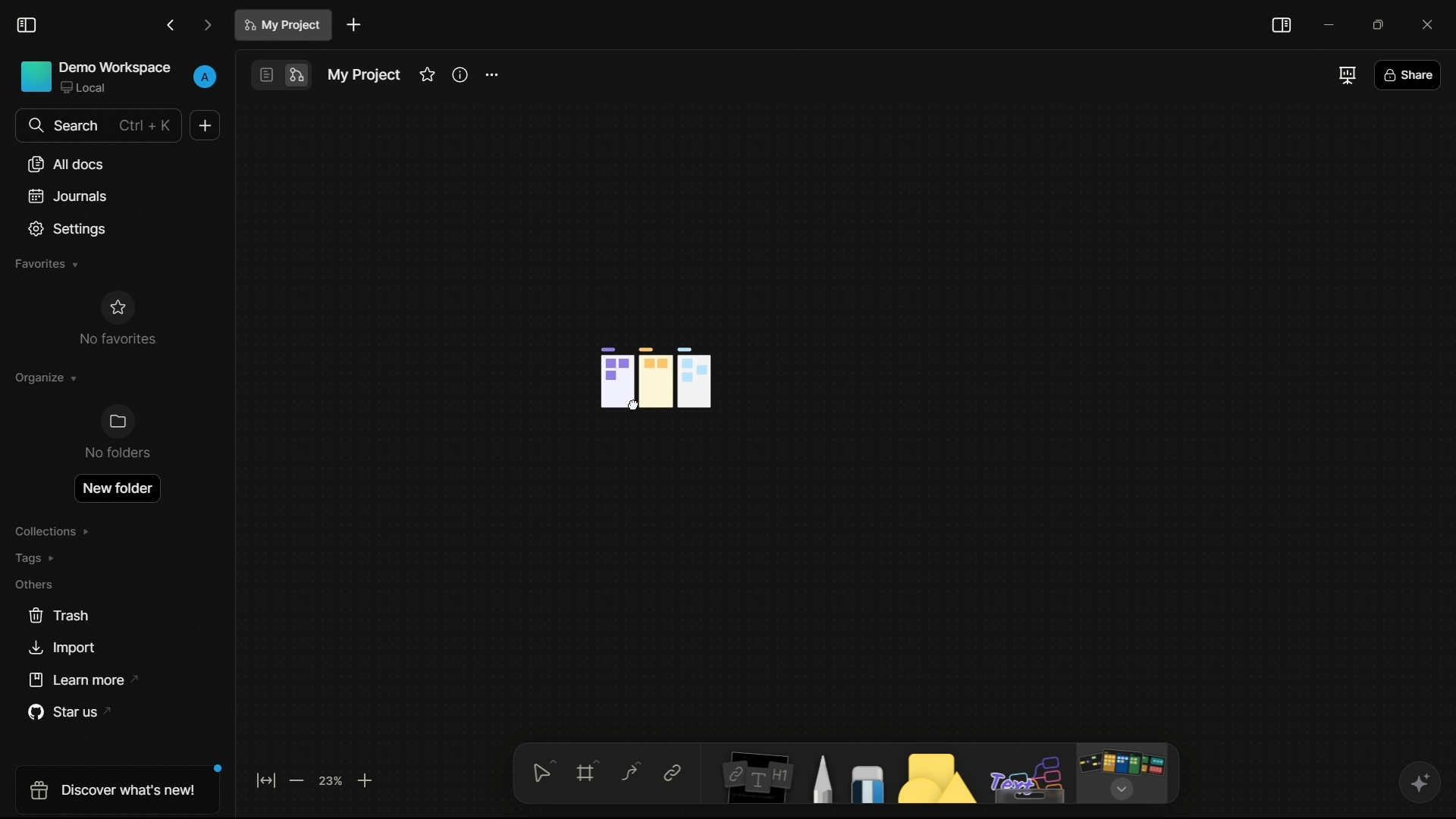 Image resolution: width=1456 pixels, height=819 pixels. What do you see at coordinates (630, 773) in the screenshot?
I see `connectors` at bounding box center [630, 773].